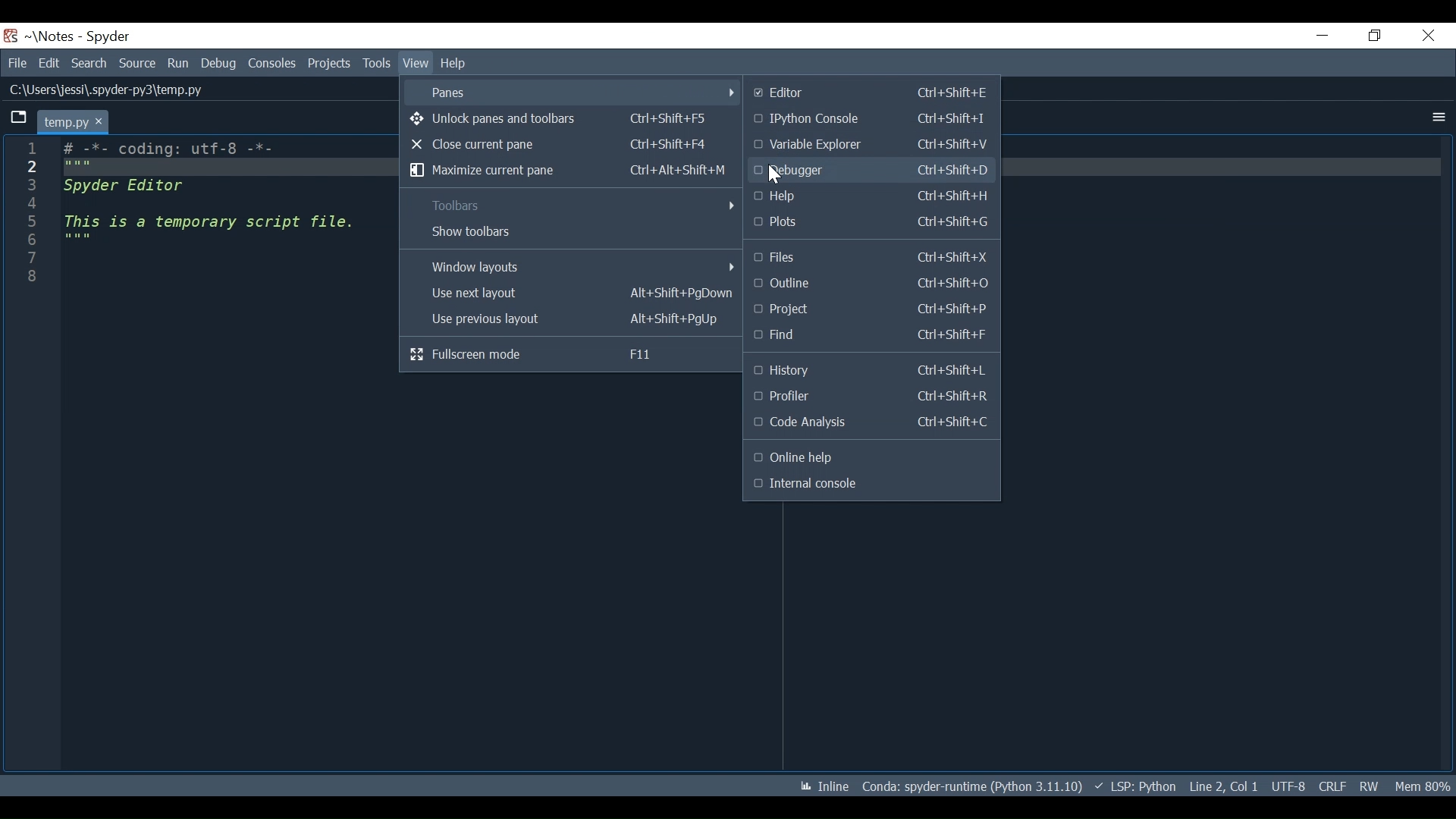 Image resolution: width=1456 pixels, height=819 pixels. What do you see at coordinates (11, 36) in the screenshot?
I see `Spyder Desktop Icon` at bounding box center [11, 36].